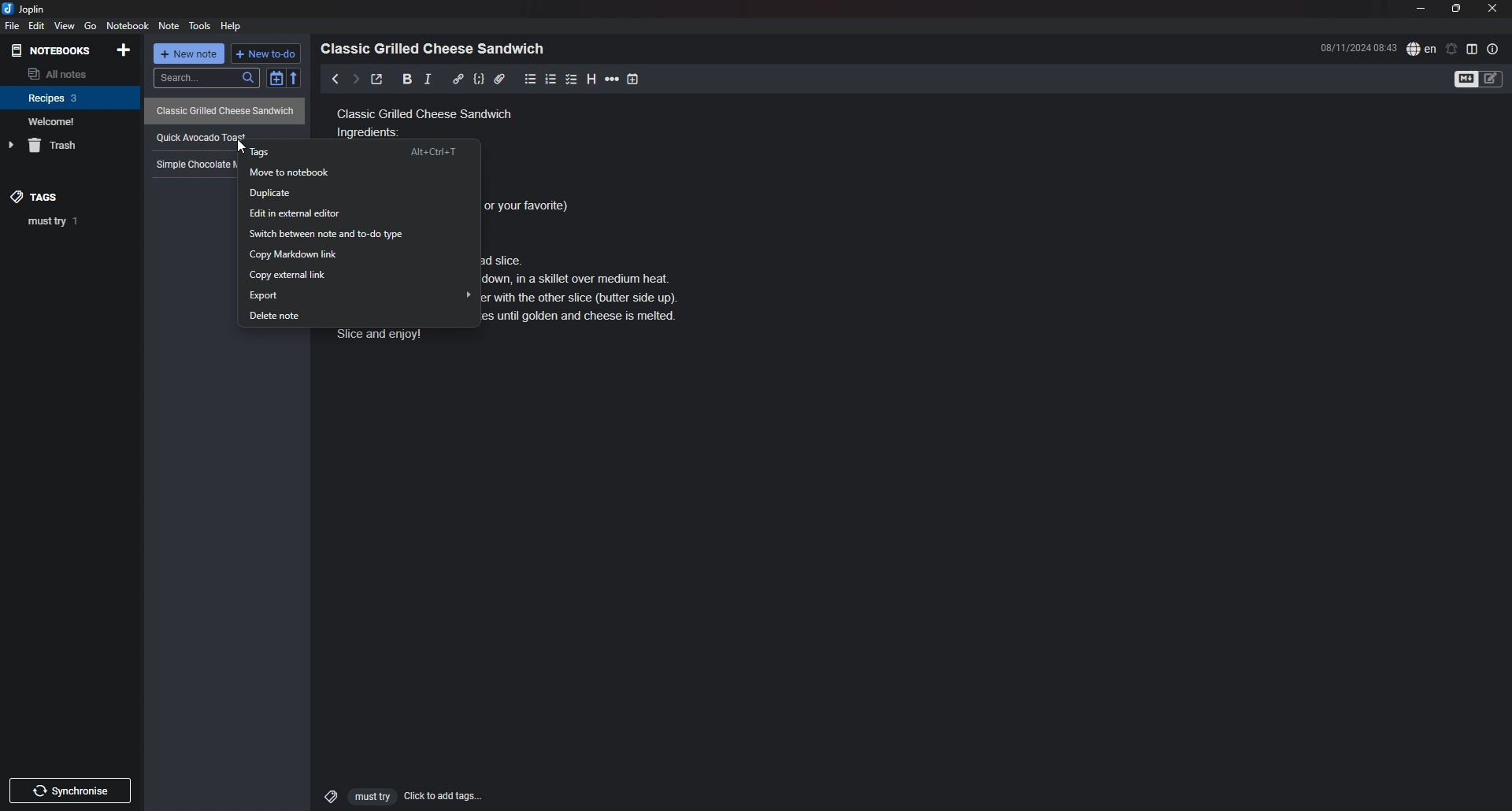 This screenshot has height=811, width=1512. Describe the element at coordinates (478, 79) in the screenshot. I see `code` at that location.